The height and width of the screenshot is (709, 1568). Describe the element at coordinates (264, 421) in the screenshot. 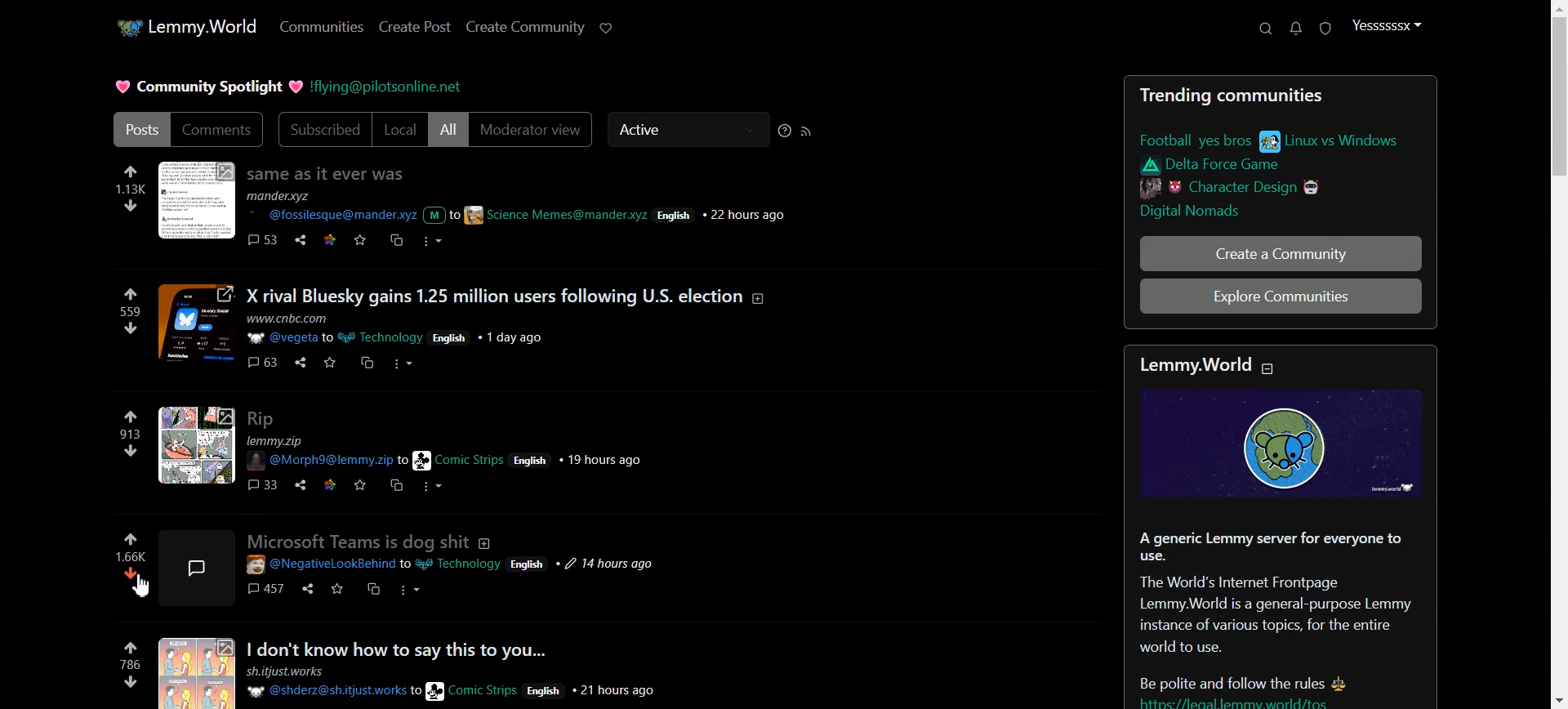

I see `posts` at that location.